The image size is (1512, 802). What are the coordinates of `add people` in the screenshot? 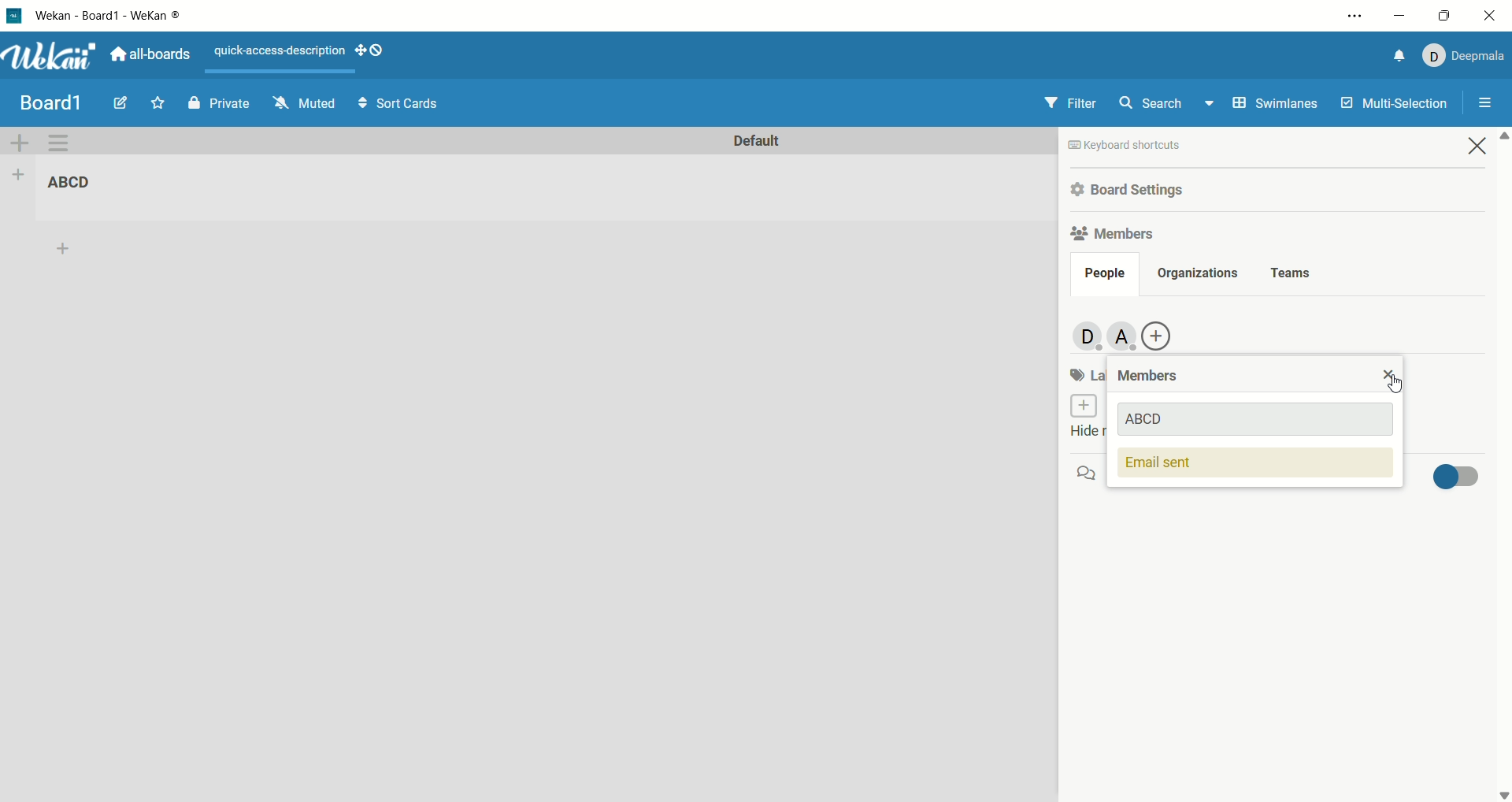 It's located at (1125, 336).